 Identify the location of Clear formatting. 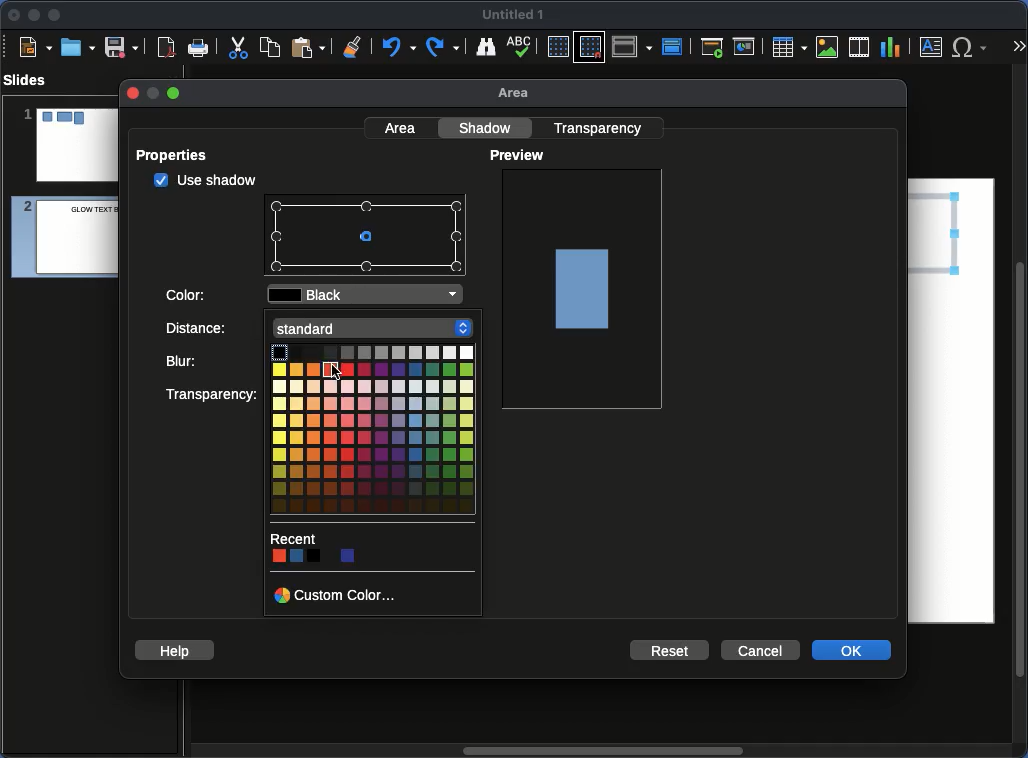
(353, 45).